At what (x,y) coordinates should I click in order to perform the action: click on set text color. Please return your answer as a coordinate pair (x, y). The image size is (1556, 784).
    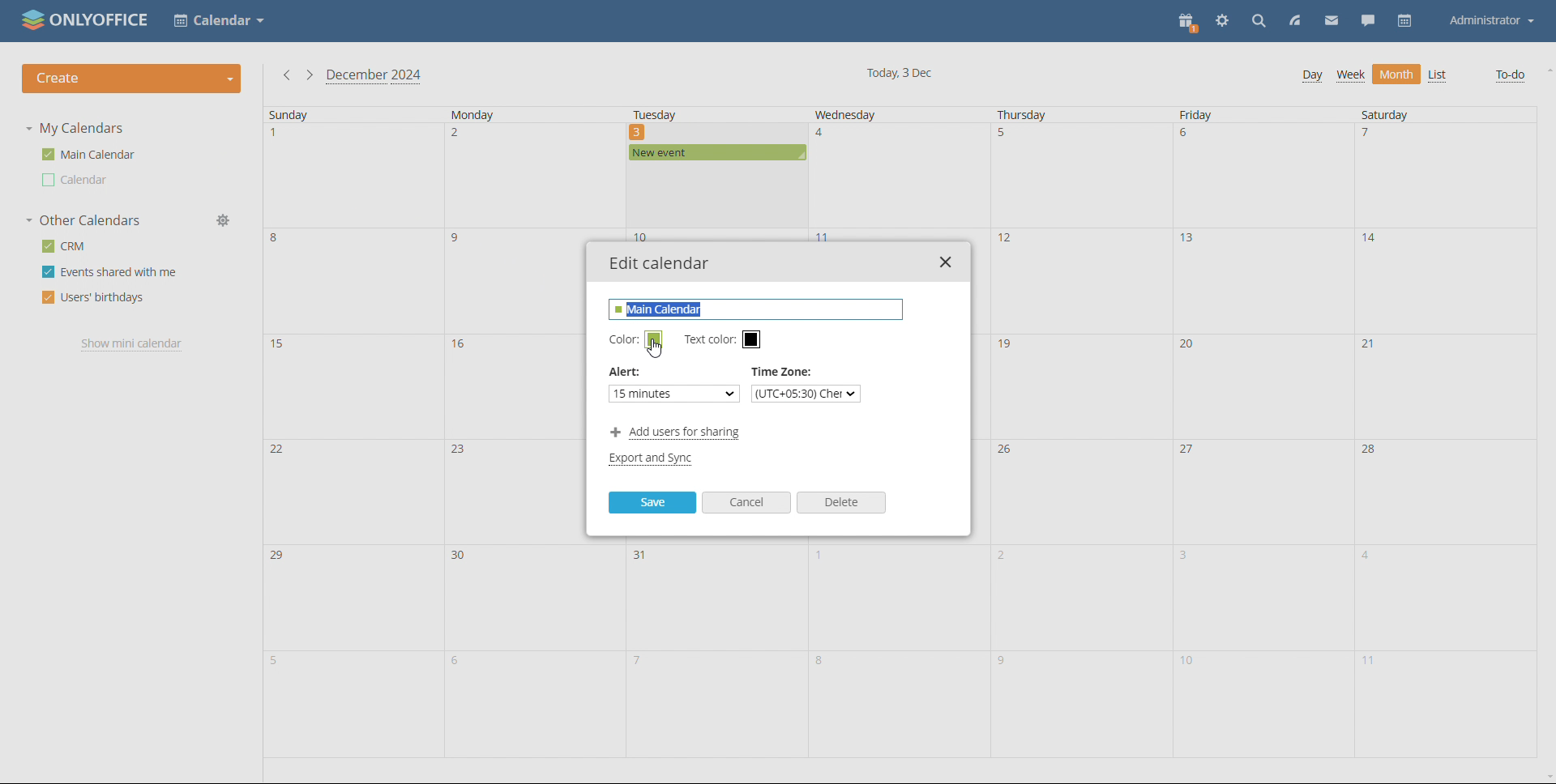
    Looking at the image, I should click on (752, 340).